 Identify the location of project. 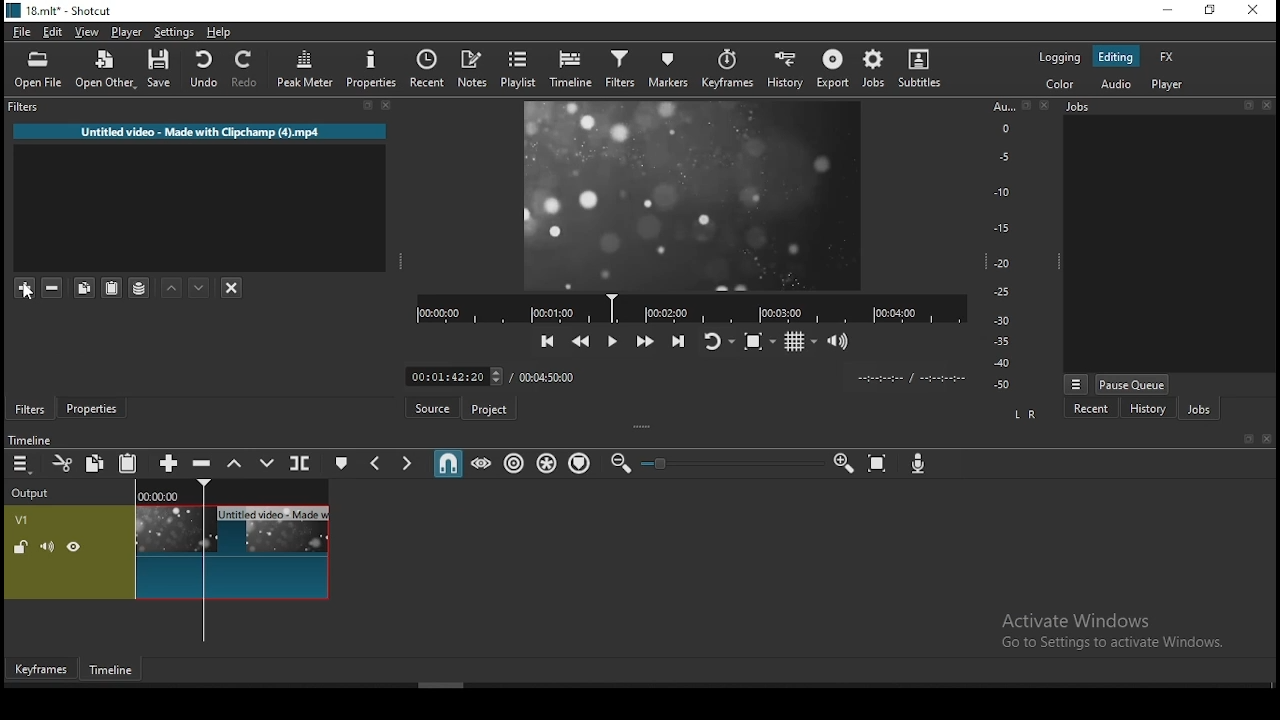
(487, 410).